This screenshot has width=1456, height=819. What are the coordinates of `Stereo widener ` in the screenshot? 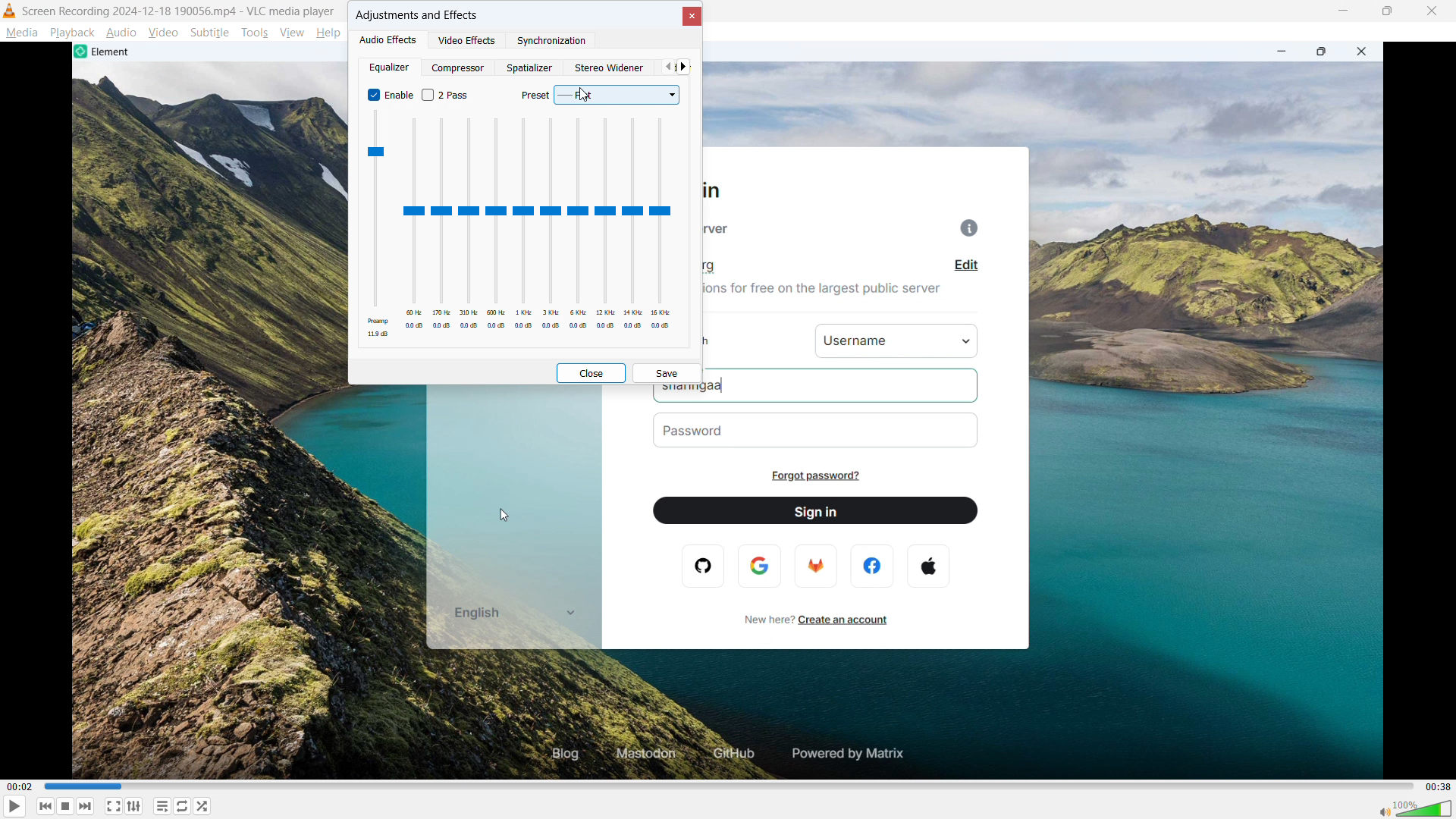 It's located at (610, 67).